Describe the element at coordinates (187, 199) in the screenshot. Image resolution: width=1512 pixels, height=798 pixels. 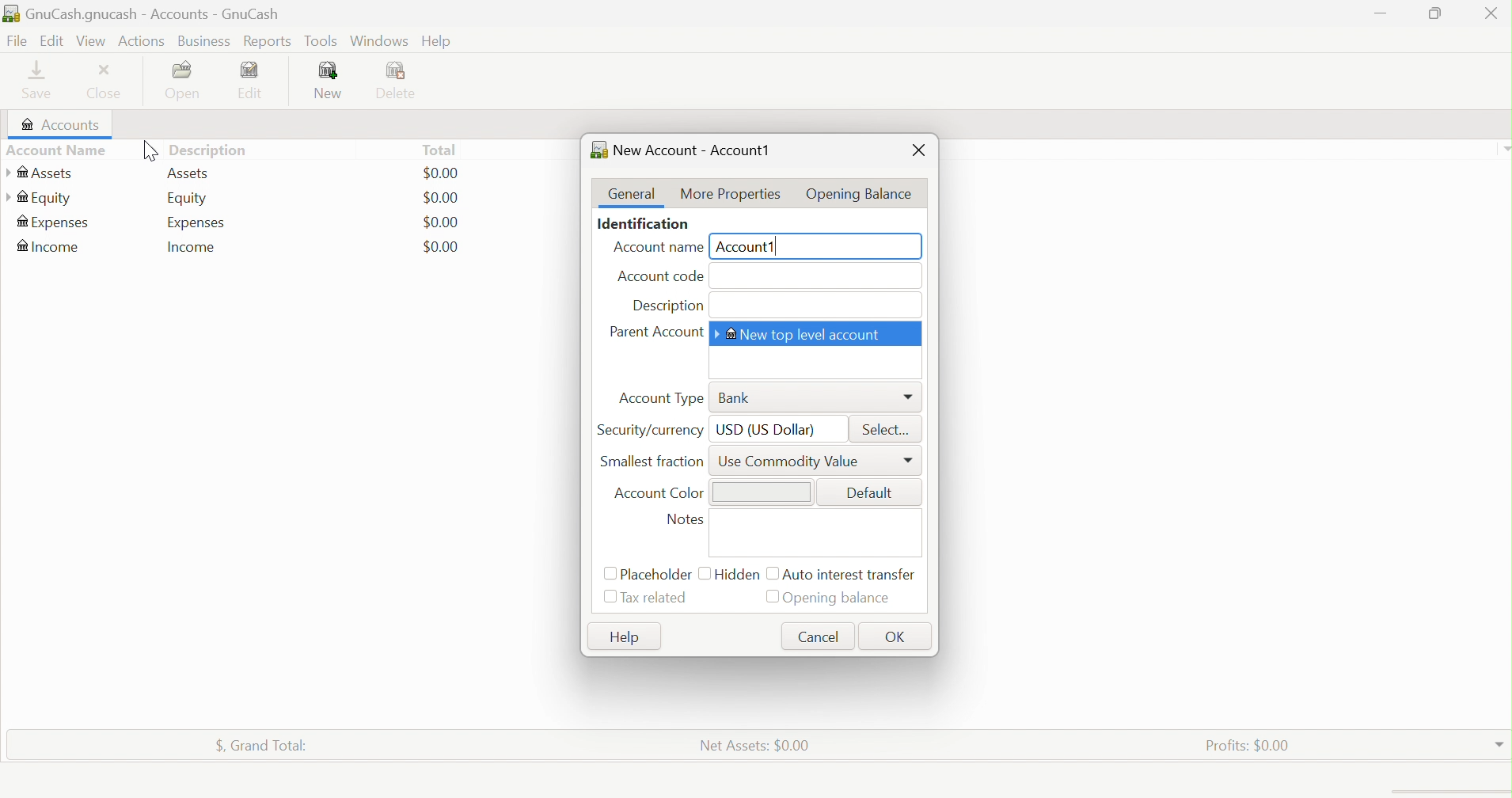
I see `Equity` at that location.